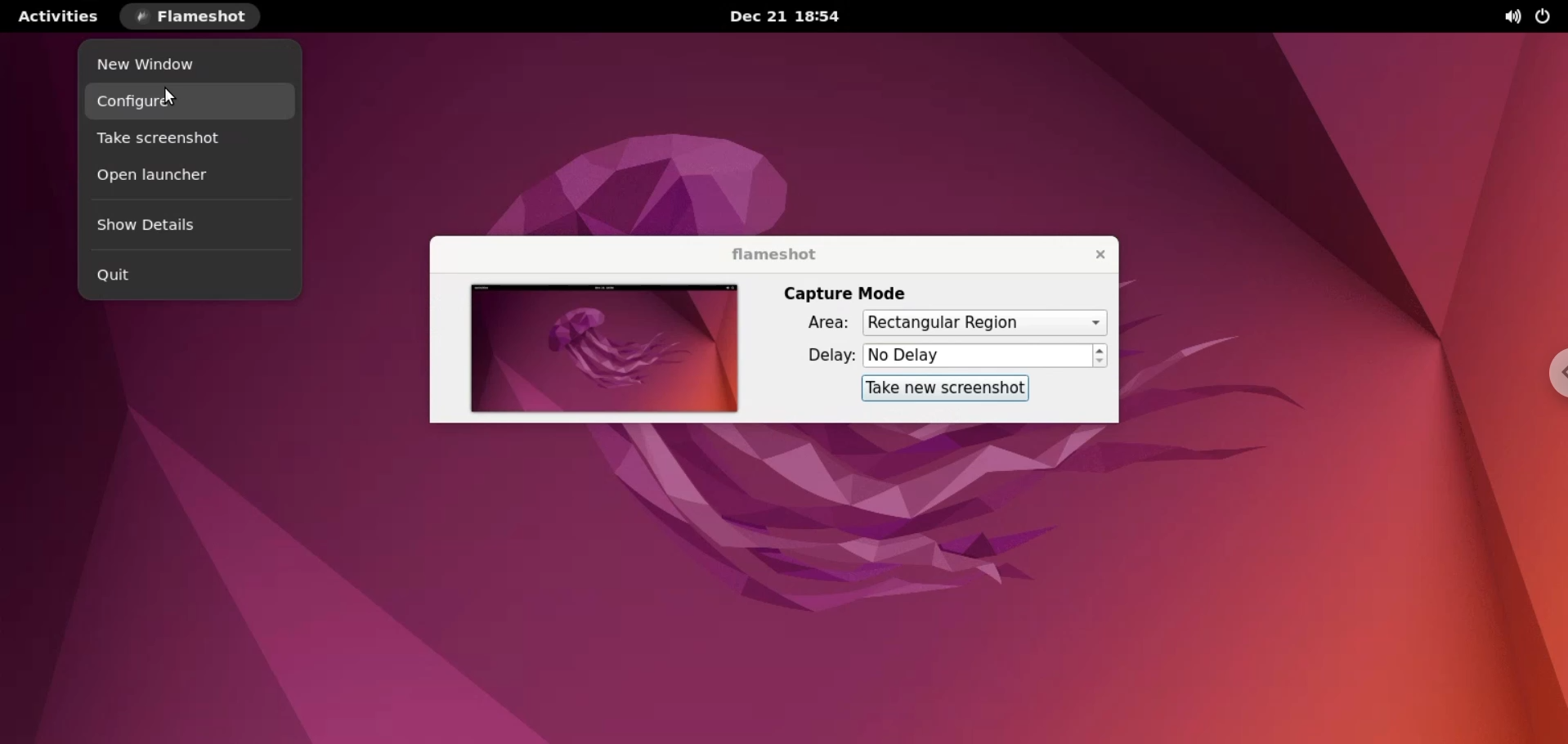 The height and width of the screenshot is (744, 1568). What do you see at coordinates (599, 350) in the screenshot?
I see `screenshot preview` at bounding box center [599, 350].